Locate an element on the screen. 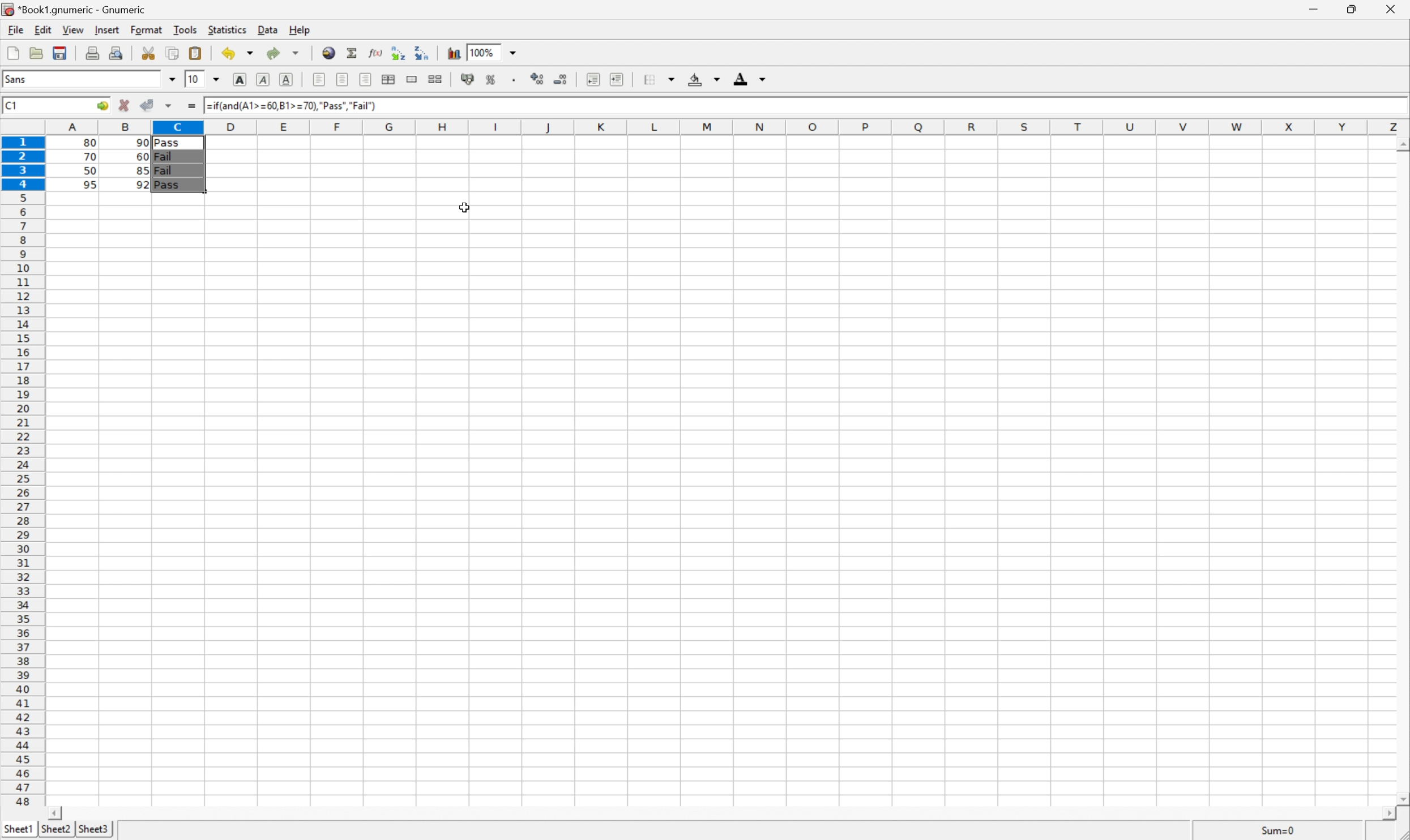  Background is located at coordinates (704, 79).